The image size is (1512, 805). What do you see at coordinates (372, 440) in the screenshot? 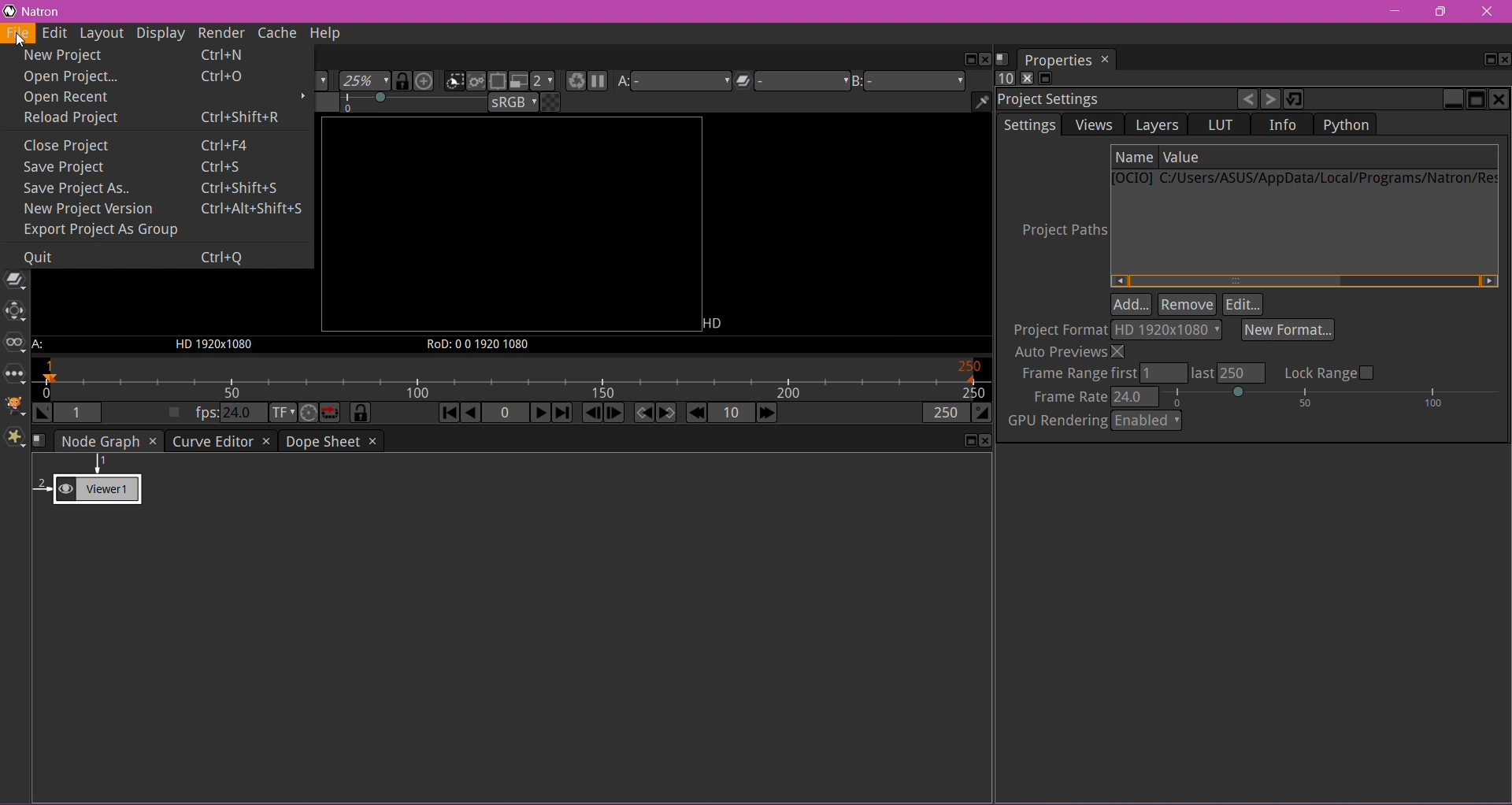
I see `Close Tab` at bounding box center [372, 440].